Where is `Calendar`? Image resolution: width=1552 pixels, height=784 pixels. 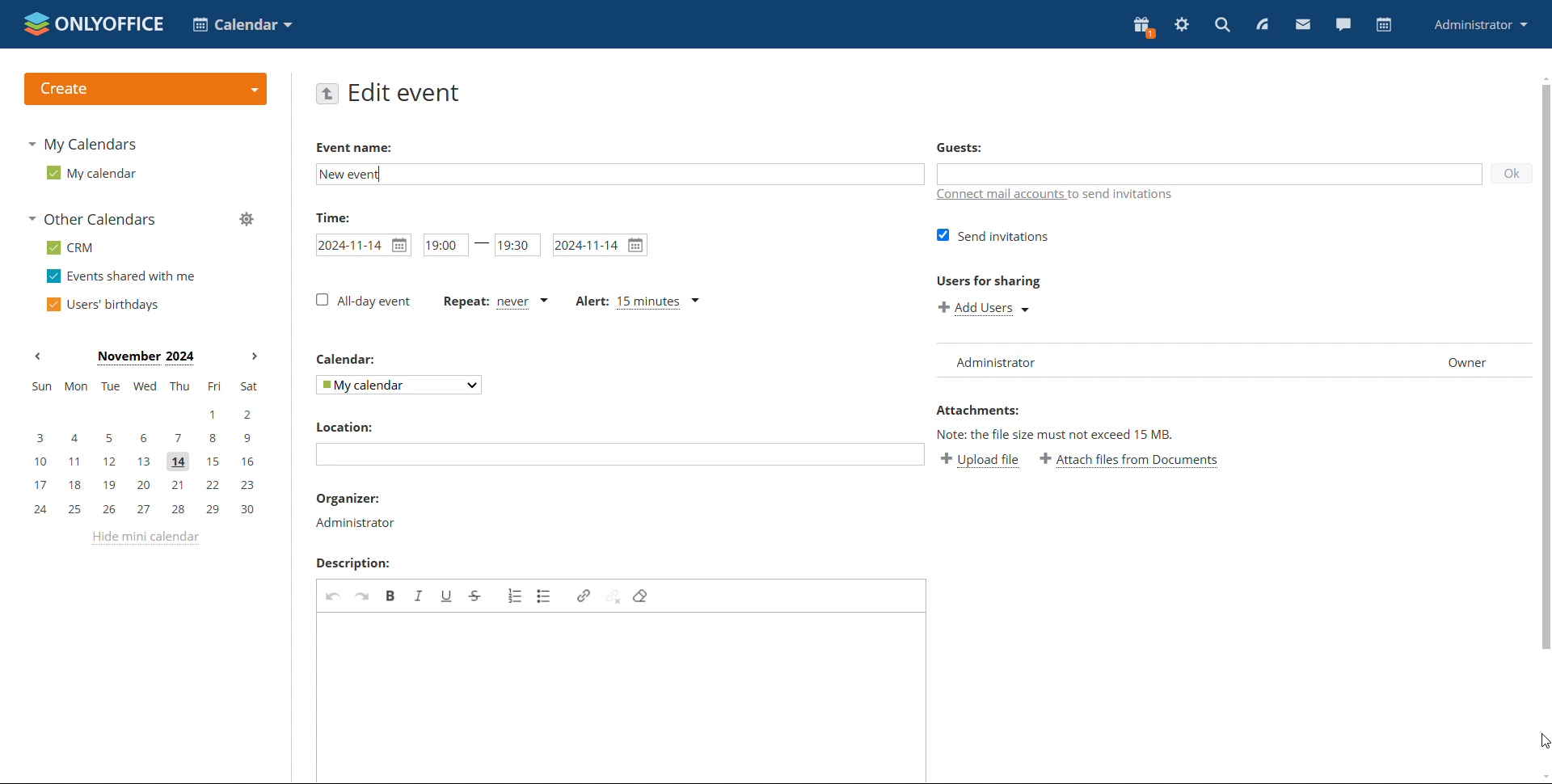 Calendar is located at coordinates (349, 362).